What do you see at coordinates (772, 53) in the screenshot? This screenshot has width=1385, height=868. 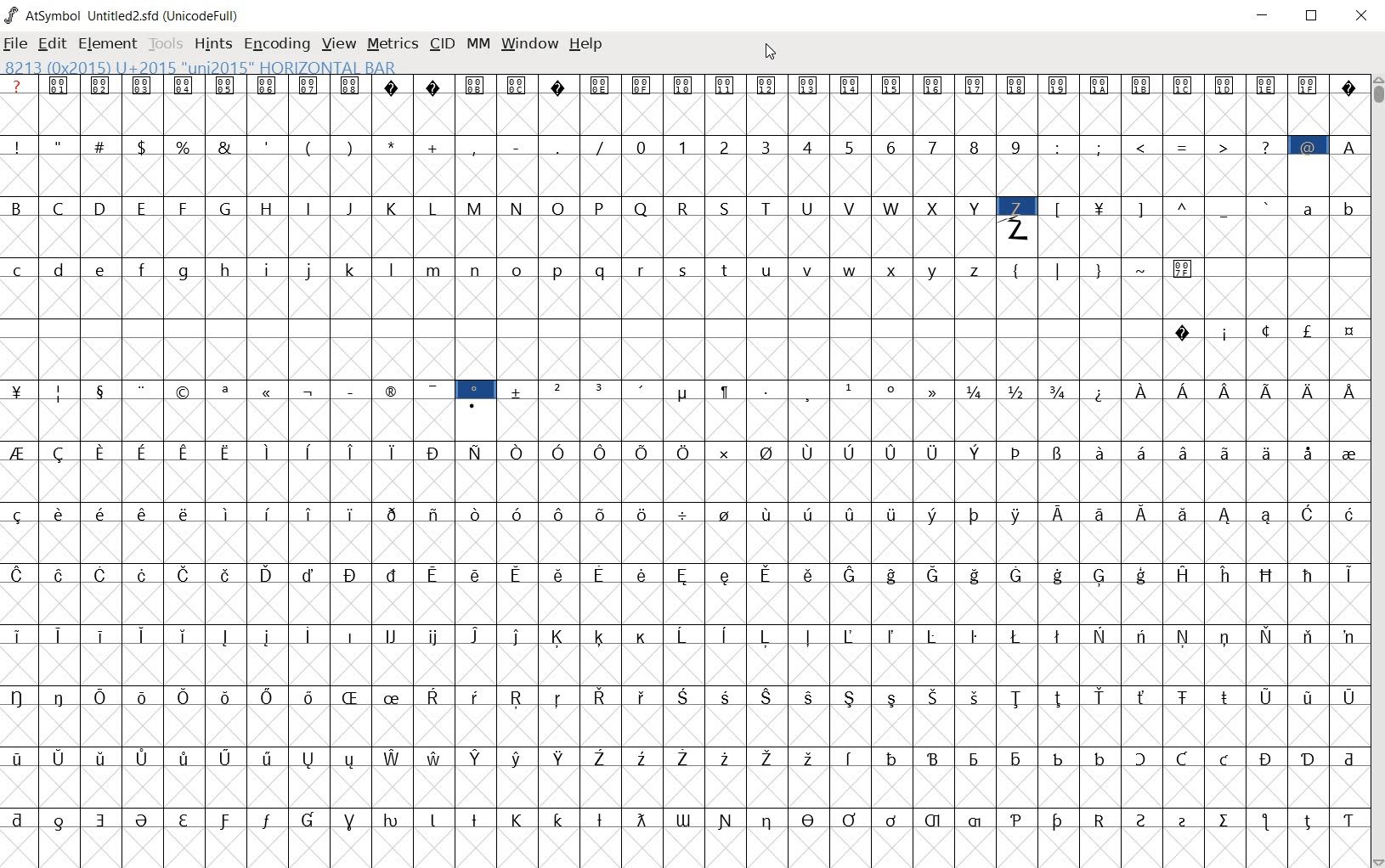 I see `CURSOR` at bounding box center [772, 53].